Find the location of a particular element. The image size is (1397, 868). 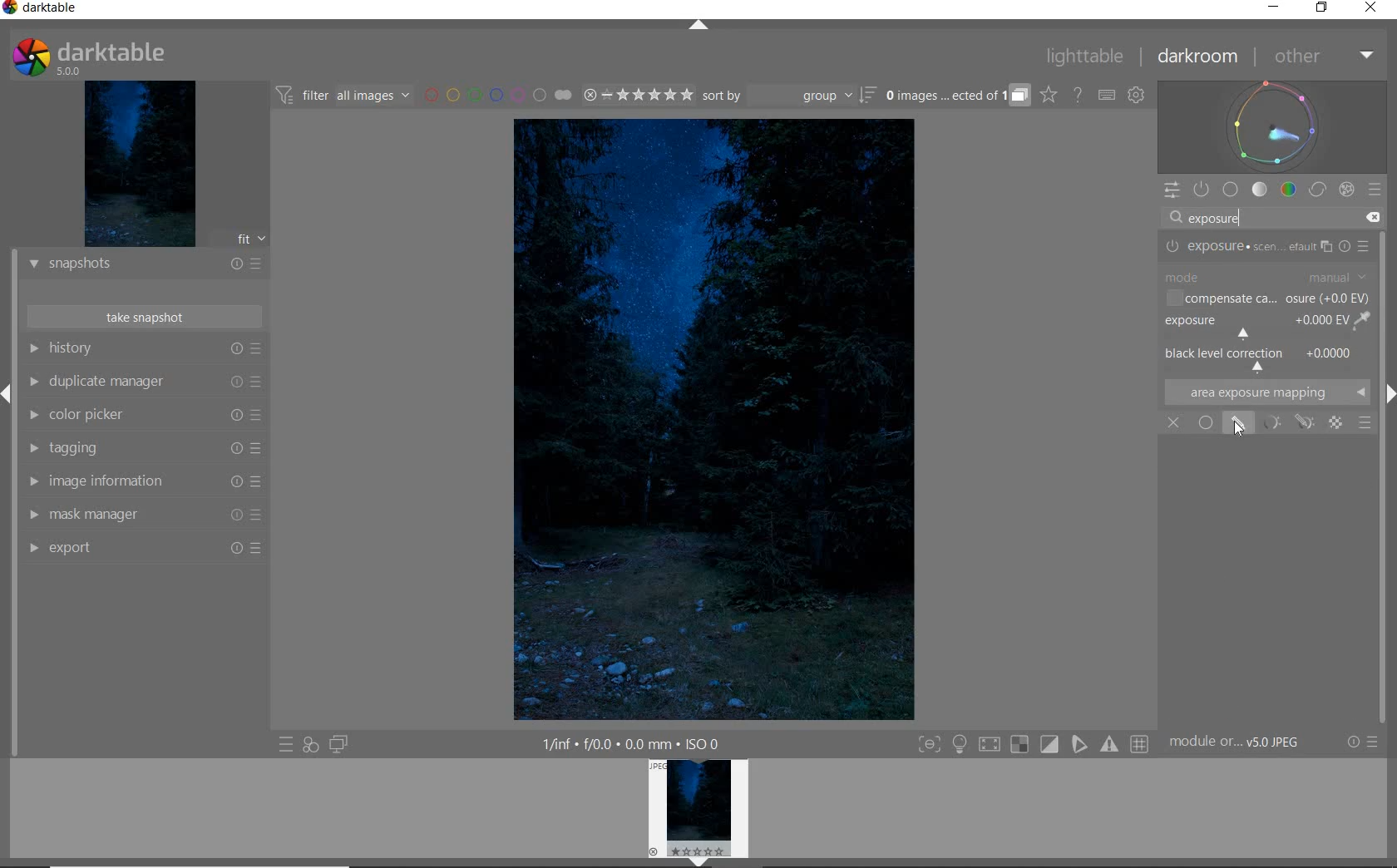

HISTORY is located at coordinates (141, 348).